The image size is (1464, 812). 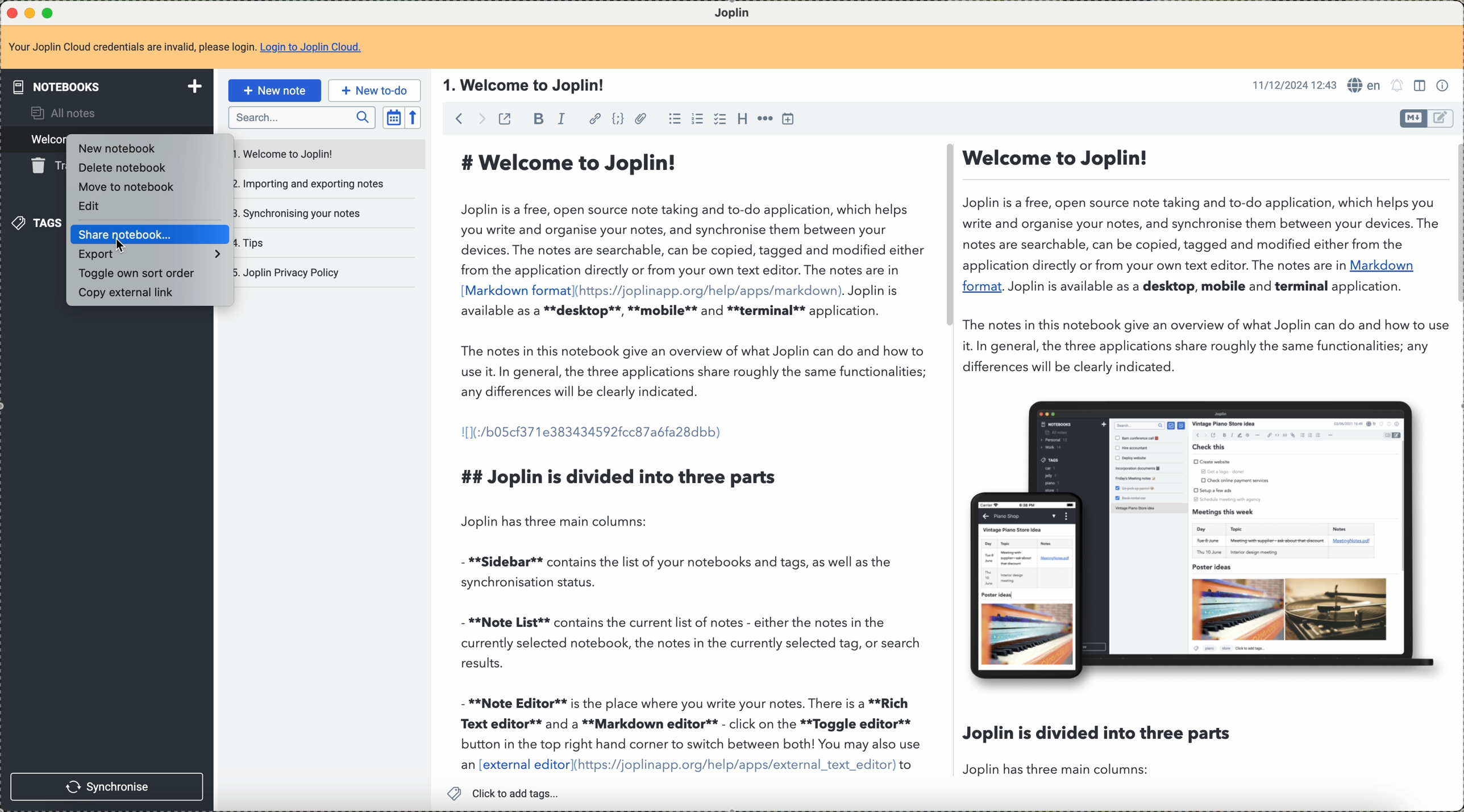 I want to click on bold, so click(x=537, y=120).